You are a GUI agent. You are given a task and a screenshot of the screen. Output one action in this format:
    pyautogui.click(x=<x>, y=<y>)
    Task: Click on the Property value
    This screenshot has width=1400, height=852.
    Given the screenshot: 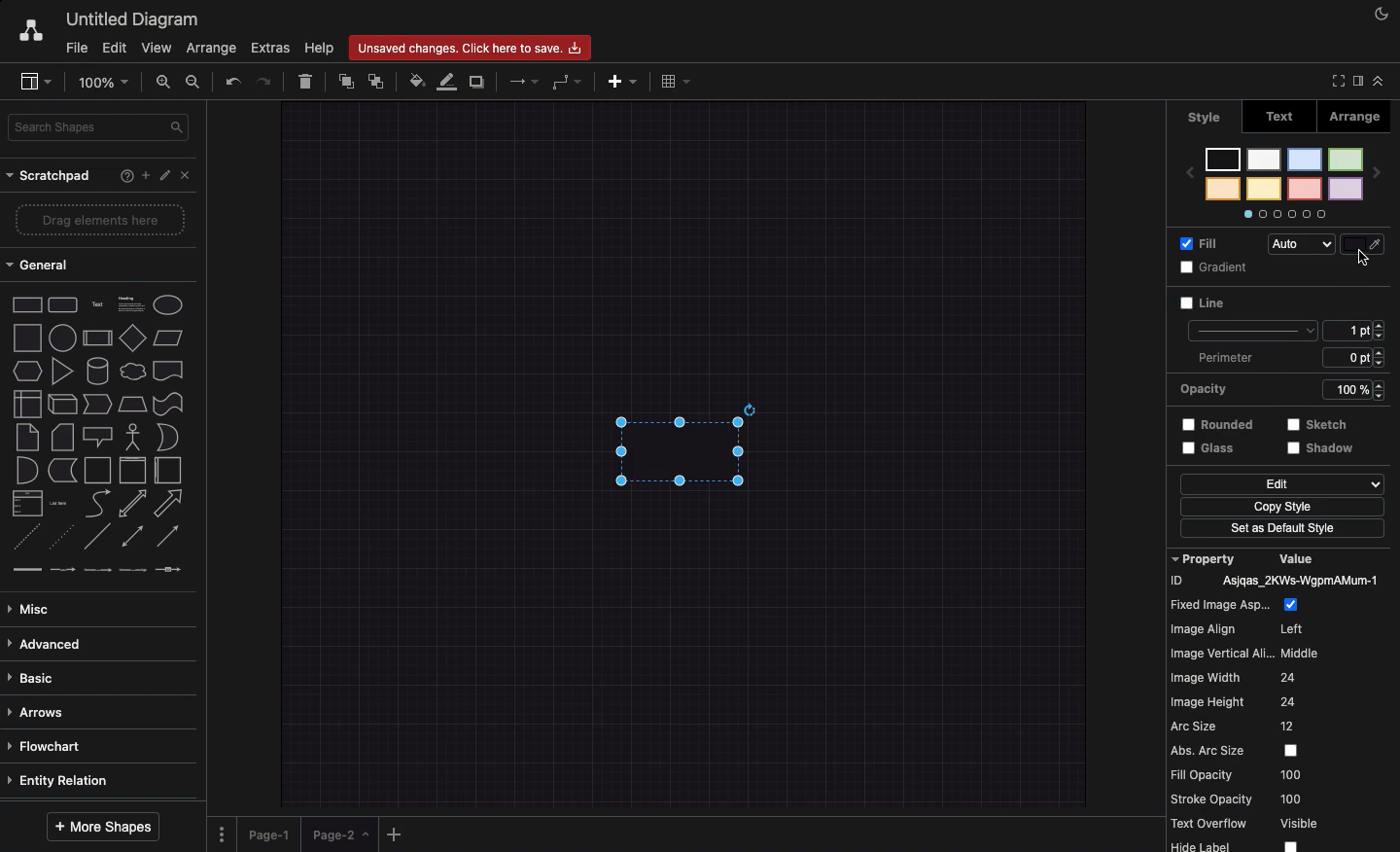 What is the action you would take?
    pyautogui.click(x=1283, y=700)
    